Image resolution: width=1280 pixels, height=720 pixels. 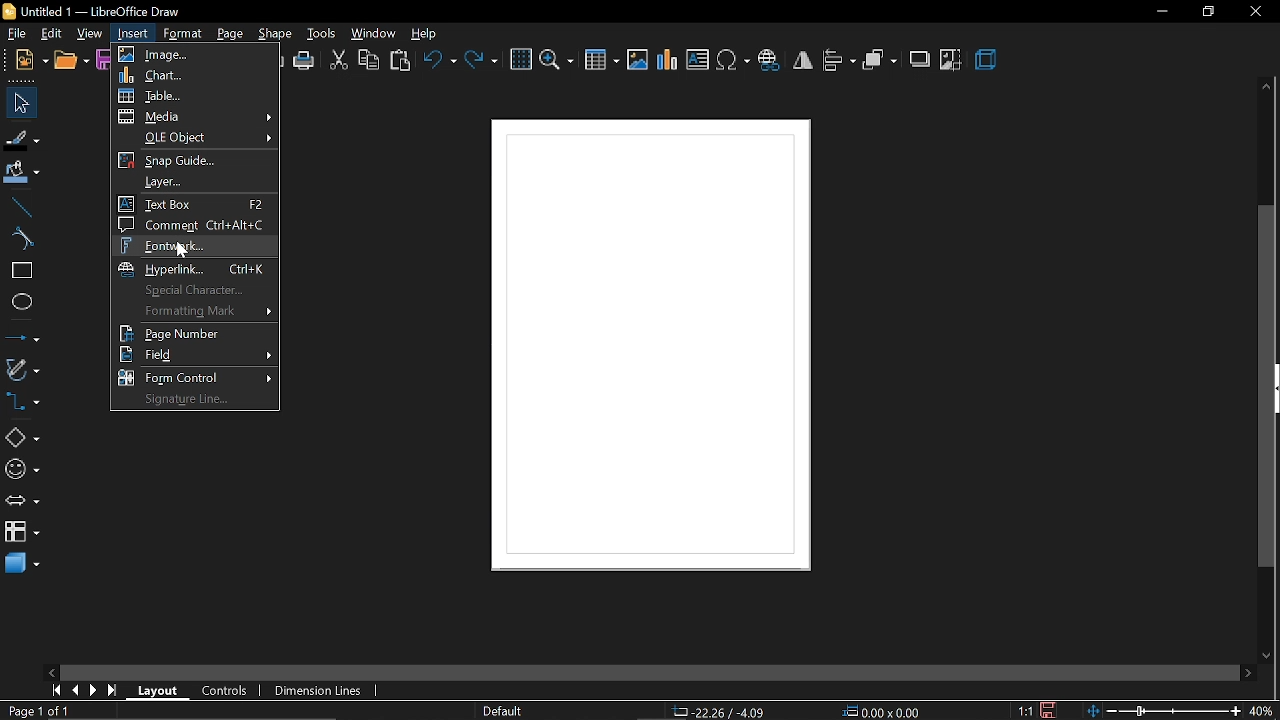 What do you see at coordinates (1248, 674) in the screenshot?
I see `move right` at bounding box center [1248, 674].